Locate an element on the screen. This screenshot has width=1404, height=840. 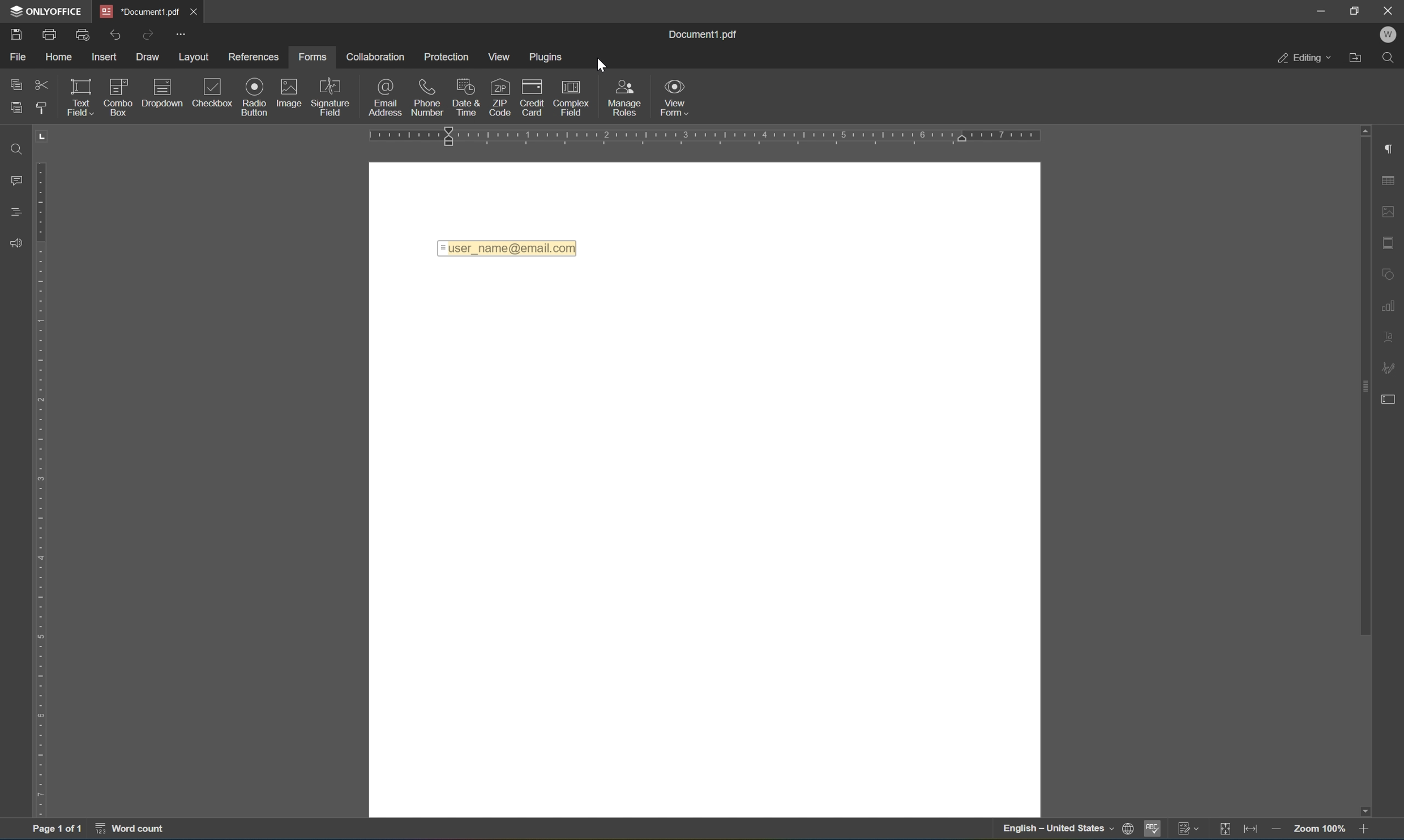
cut is located at coordinates (40, 83).